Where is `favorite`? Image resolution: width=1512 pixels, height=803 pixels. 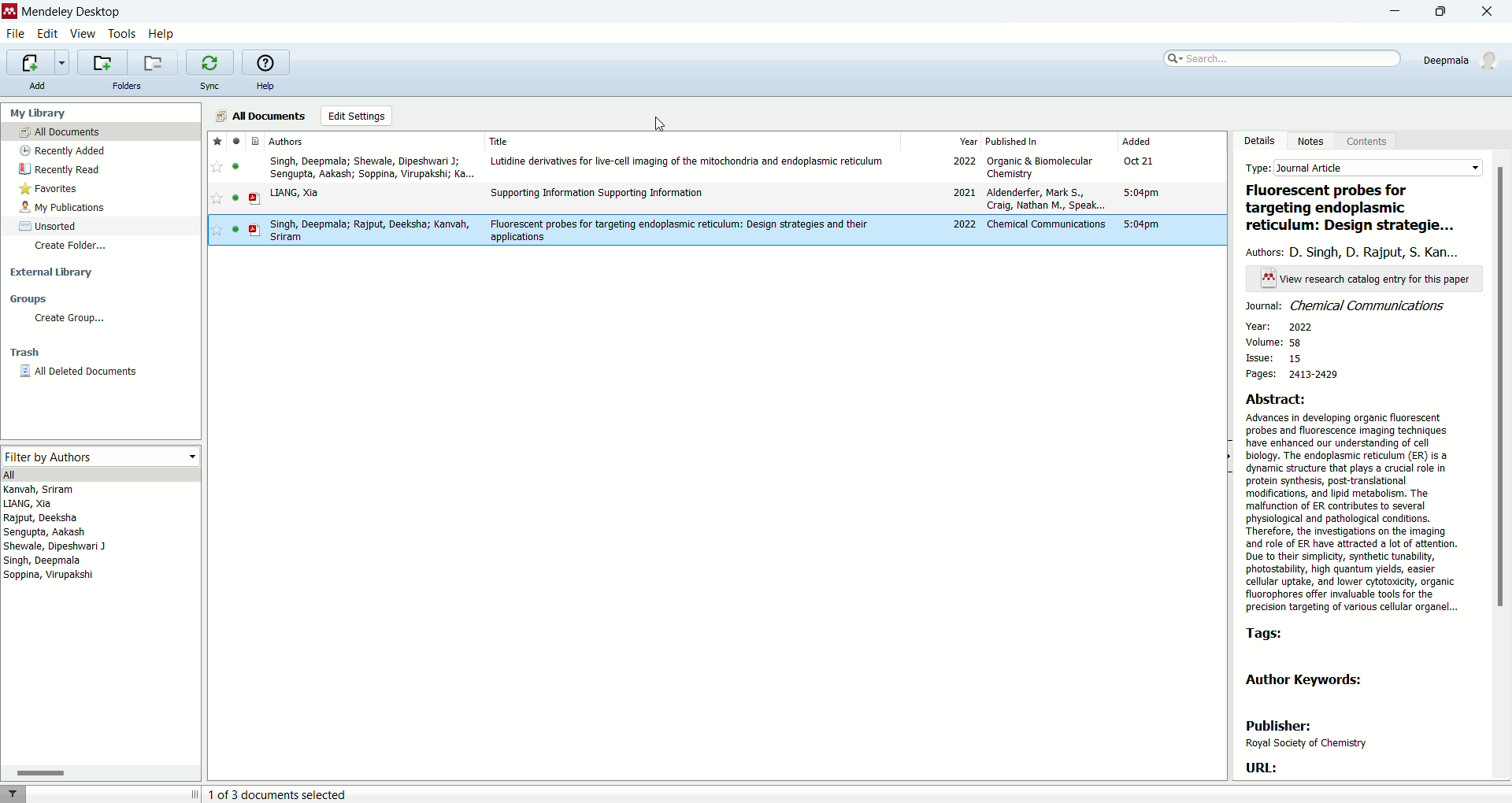 favorite is located at coordinates (217, 140).